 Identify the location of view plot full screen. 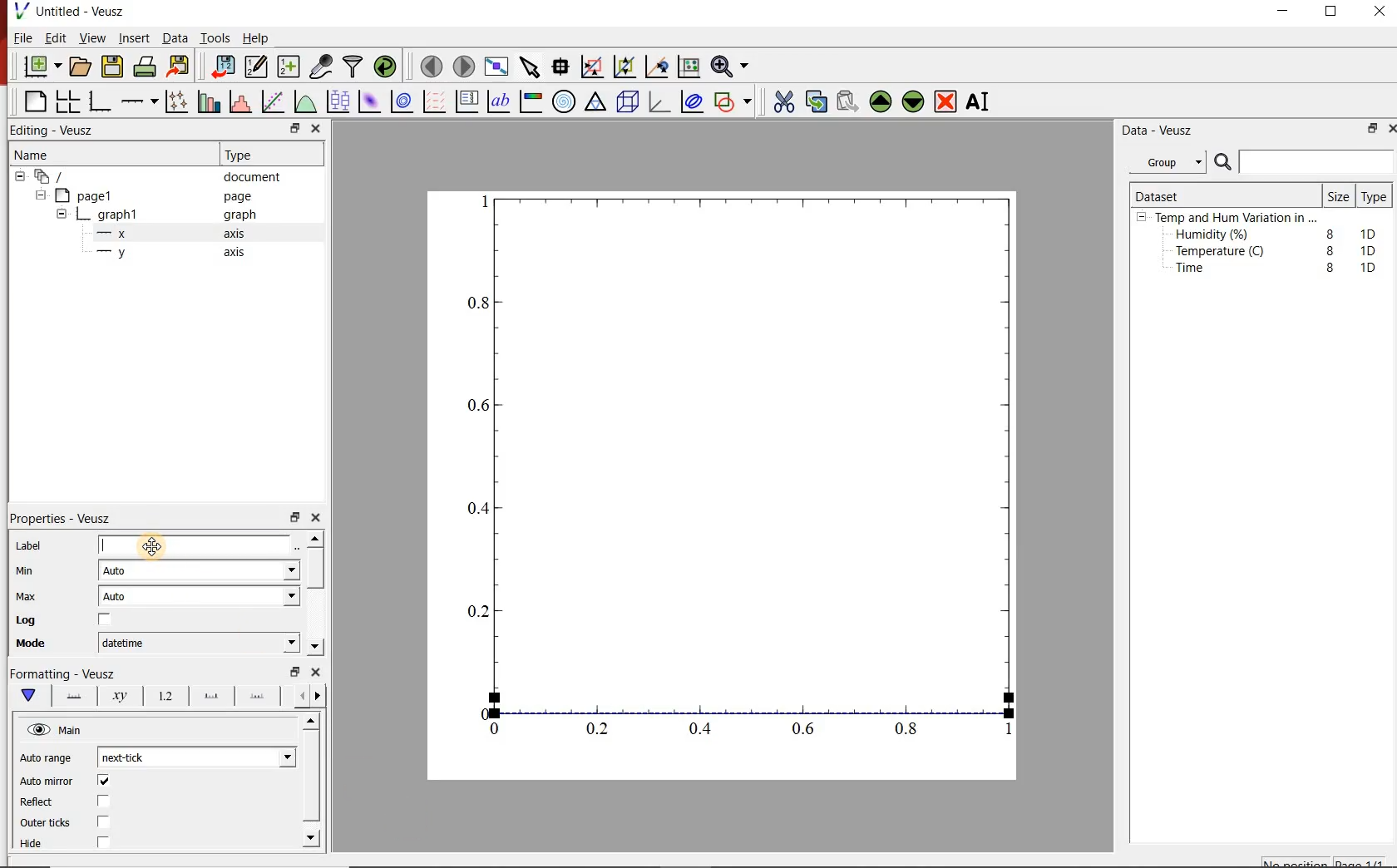
(497, 67).